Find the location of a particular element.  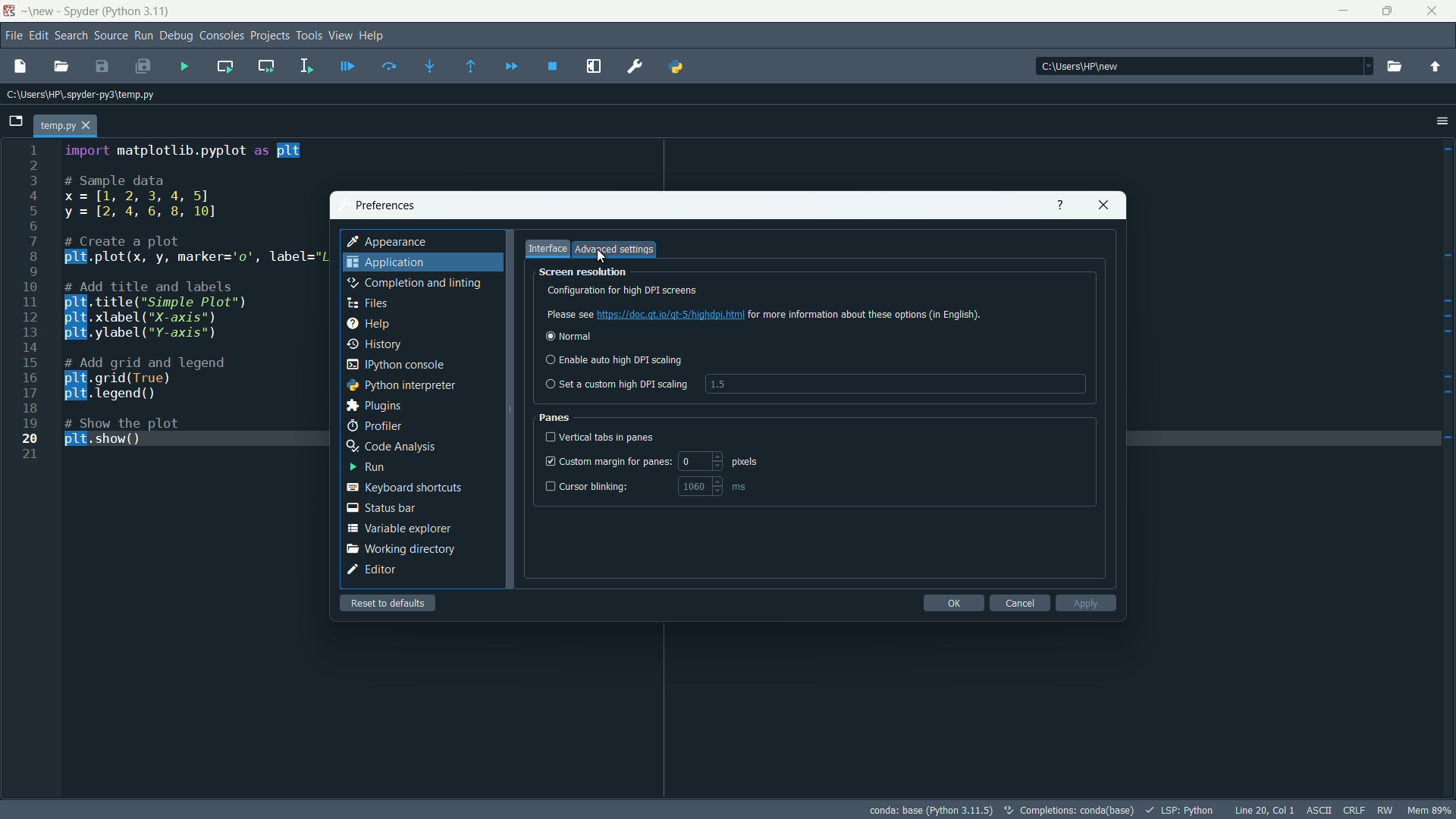

minimize is located at coordinates (1344, 11).